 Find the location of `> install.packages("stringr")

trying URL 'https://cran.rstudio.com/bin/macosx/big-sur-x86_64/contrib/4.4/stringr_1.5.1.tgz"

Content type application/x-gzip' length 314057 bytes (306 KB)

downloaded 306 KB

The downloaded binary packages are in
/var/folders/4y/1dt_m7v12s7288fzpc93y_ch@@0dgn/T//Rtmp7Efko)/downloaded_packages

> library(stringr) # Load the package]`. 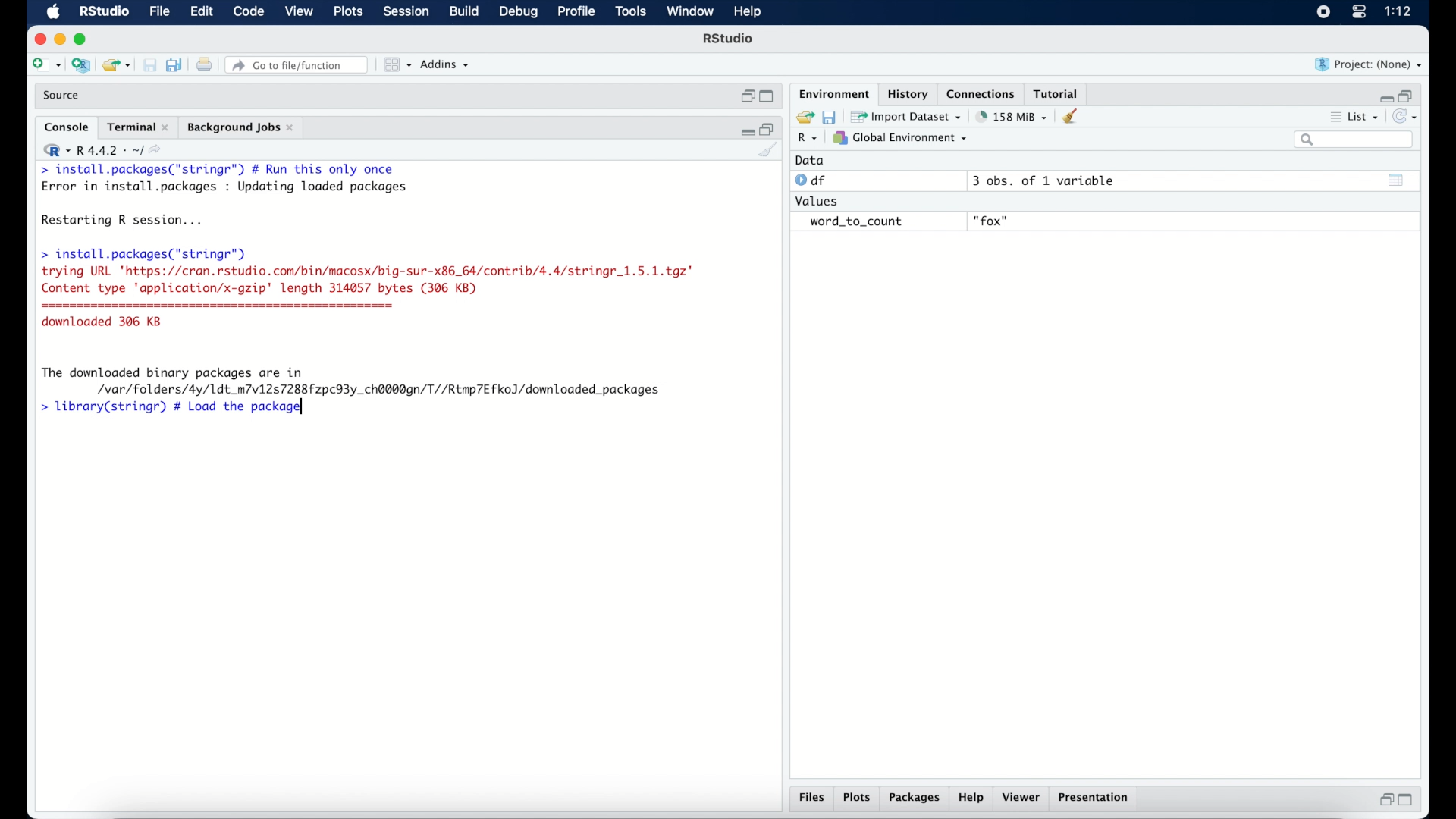

> install.packages("stringr")

trying URL 'https://cran.rstudio.com/bin/macosx/big-sur-x86_64/contrib/4.4/stringr_1.5.1.tgz"

Content type application/x-gzip' length 314057 bytes (306 KB)

downloaded 306 KB

The downloaded binary packages are in
/var/folders/4y/1dt_m7v12s7288fzpc93y_ch@@0dgn/T//Rtmp7Efko)/downloaded_packages

> library(stringr) # Load the package] is located at coordinates (367, 333).